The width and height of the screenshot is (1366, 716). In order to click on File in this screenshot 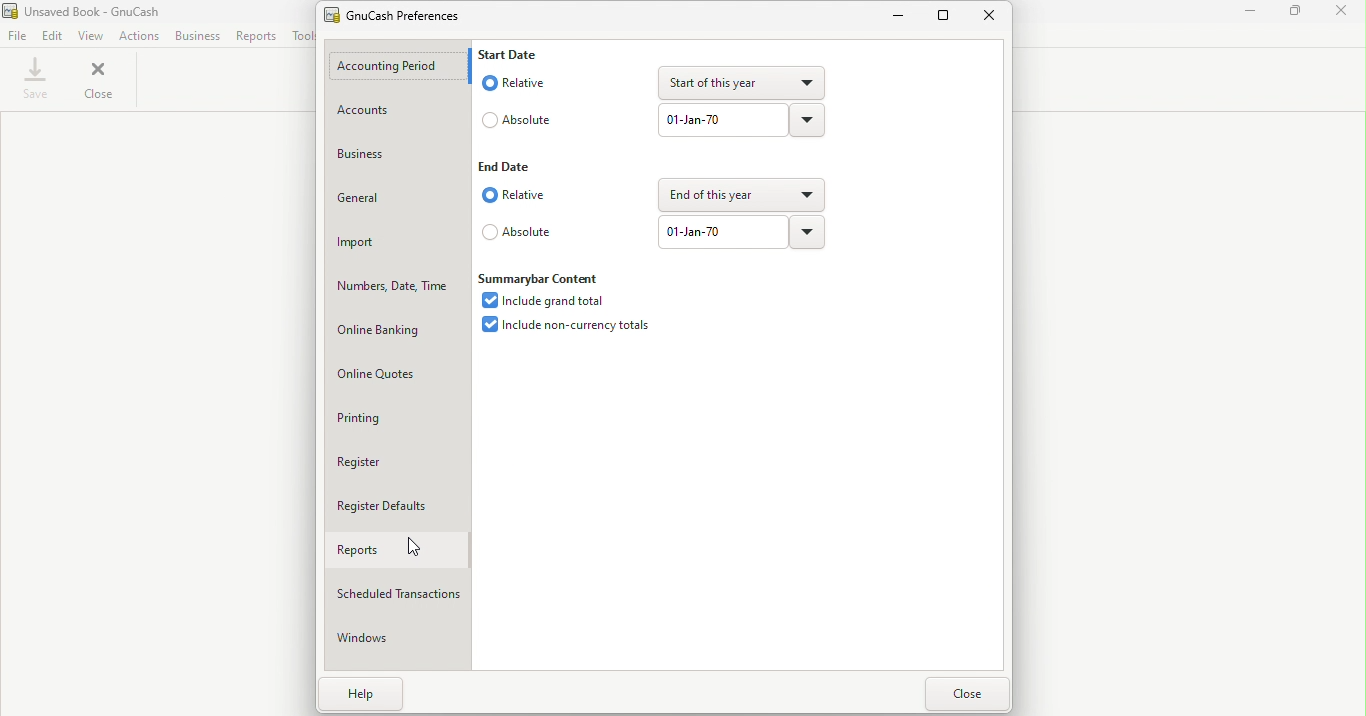, I will do `click(17, 35)`.